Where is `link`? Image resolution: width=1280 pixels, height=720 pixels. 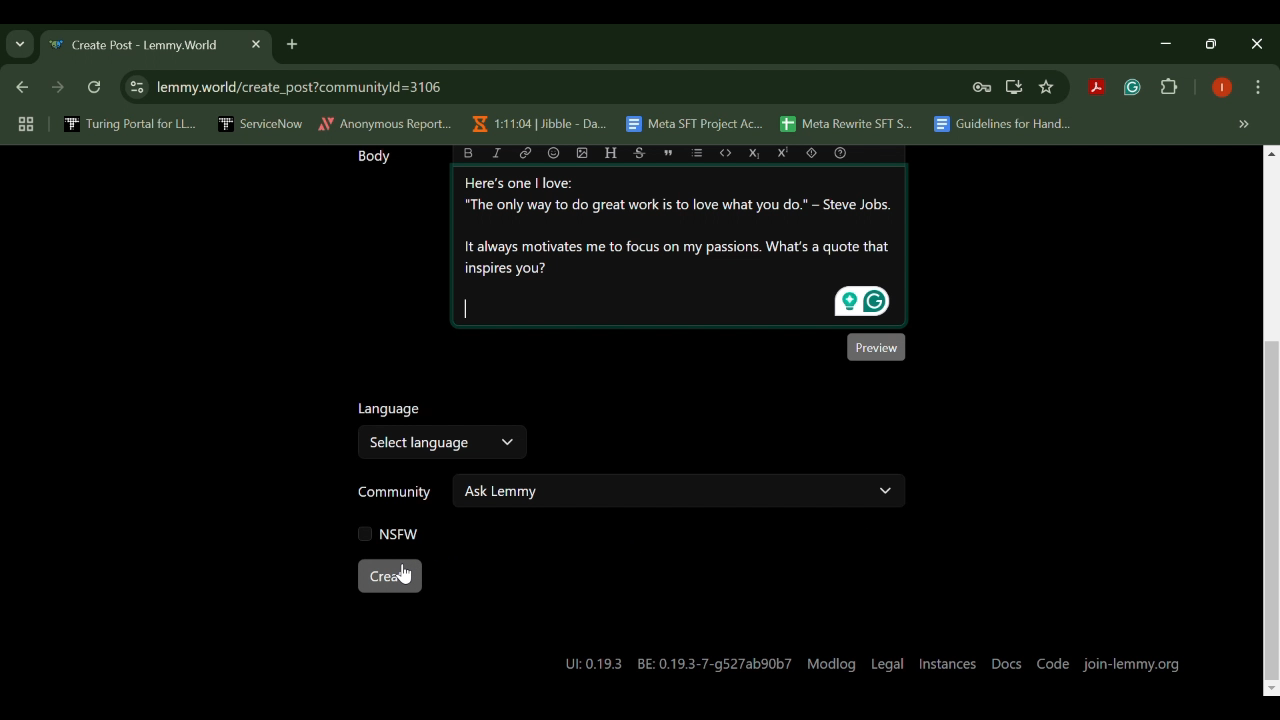 link is located at coordinates (525, 153).